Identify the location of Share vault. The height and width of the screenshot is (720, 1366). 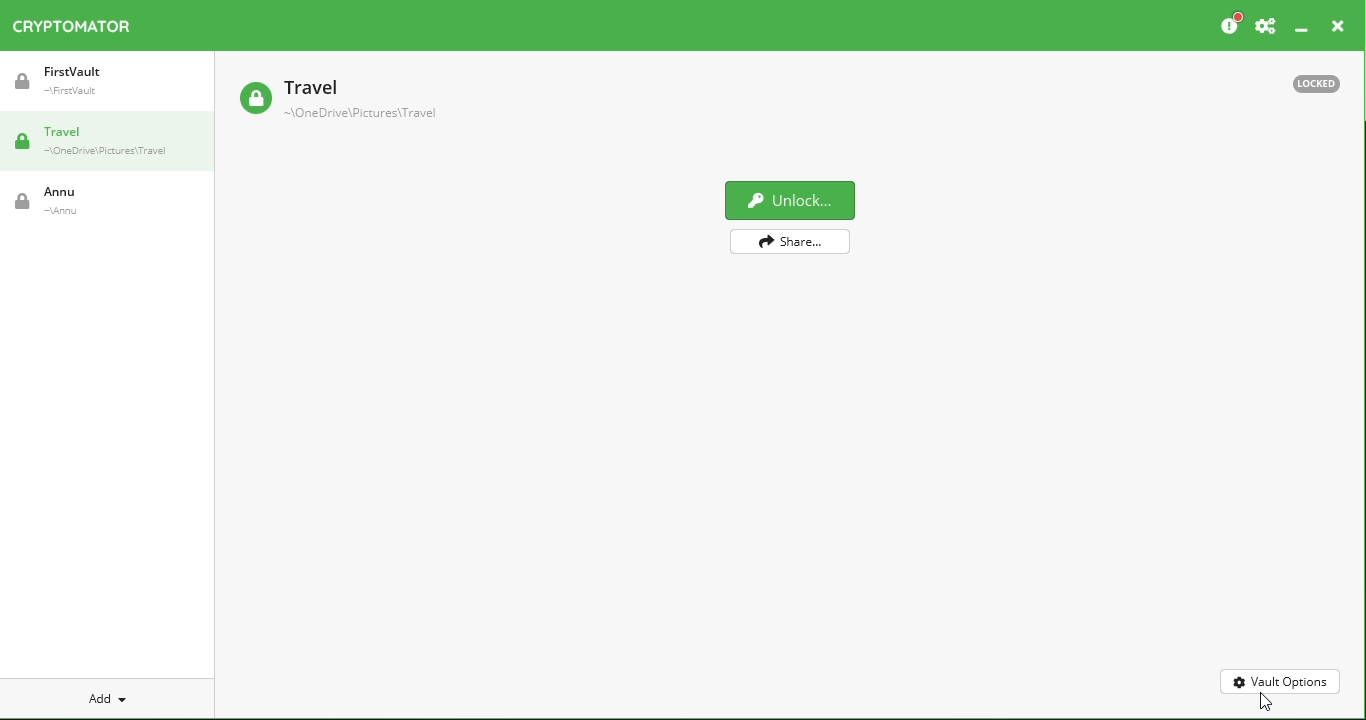
(791, 244).